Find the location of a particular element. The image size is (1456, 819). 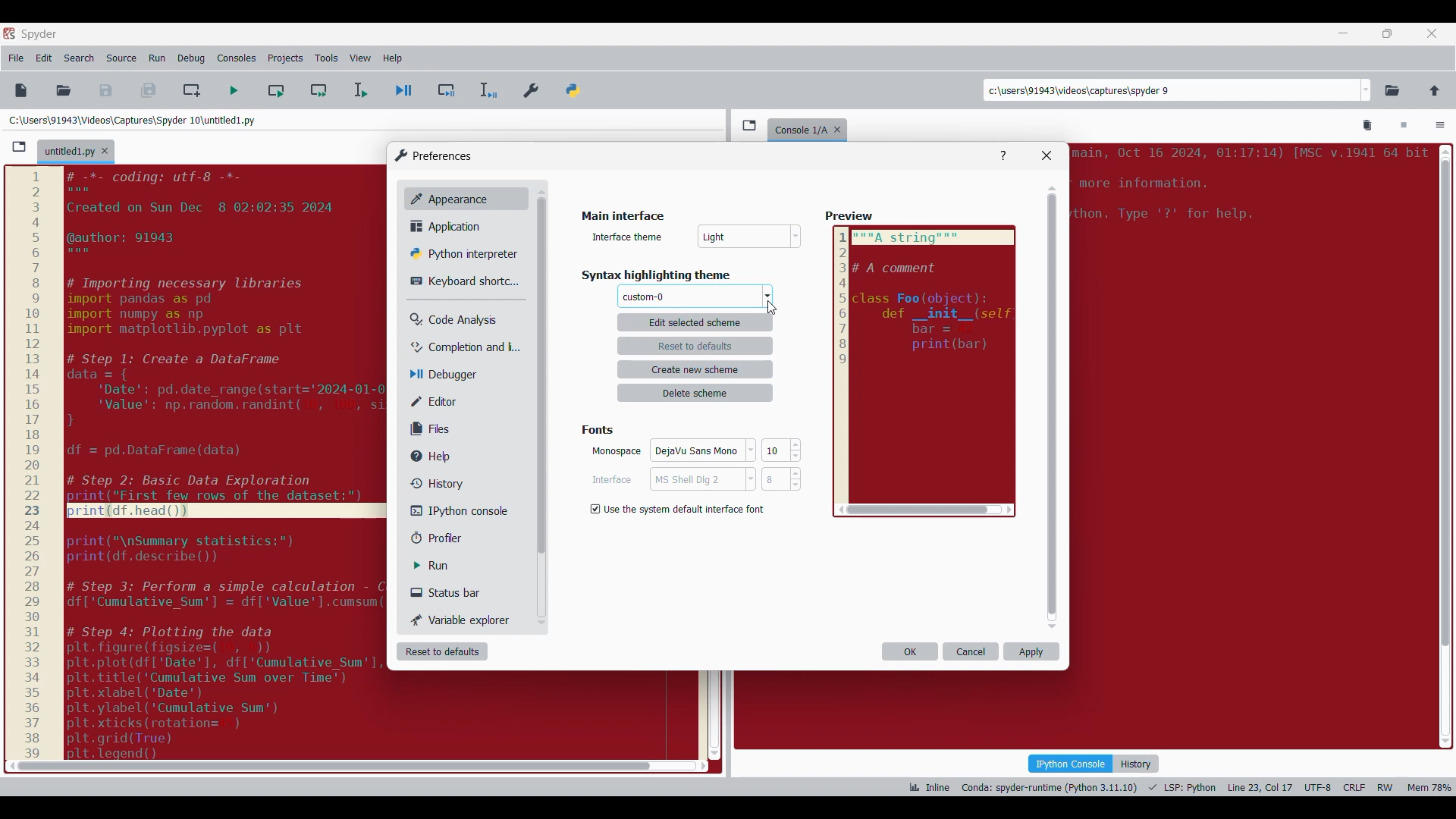

 is located at coordinates (751, 238).